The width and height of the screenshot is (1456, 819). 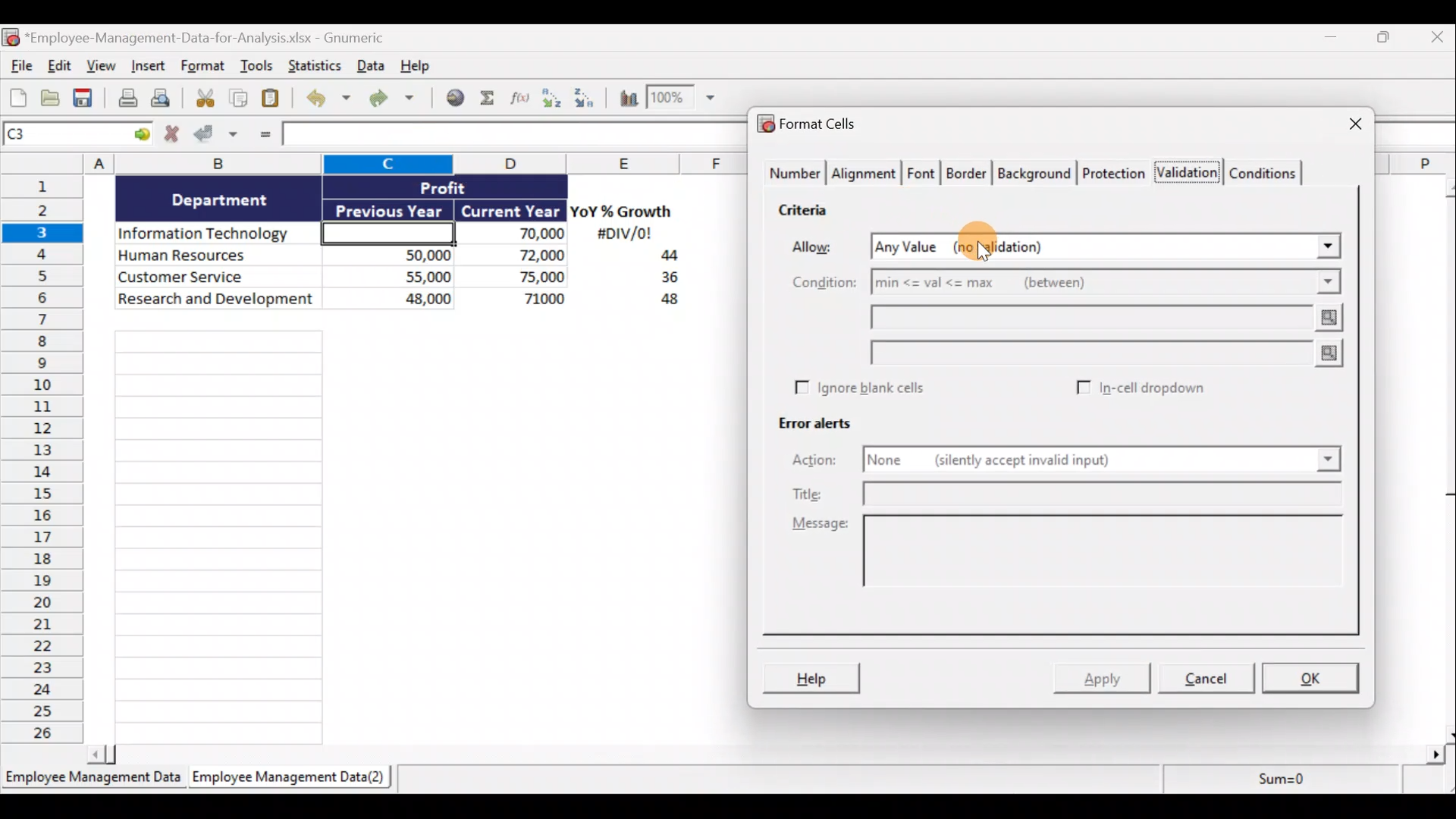 What do you see at coordinates (1051, 462) in the screenshot?
I see `None (silently accept invalid input)` at bounding box center [1051, 462].